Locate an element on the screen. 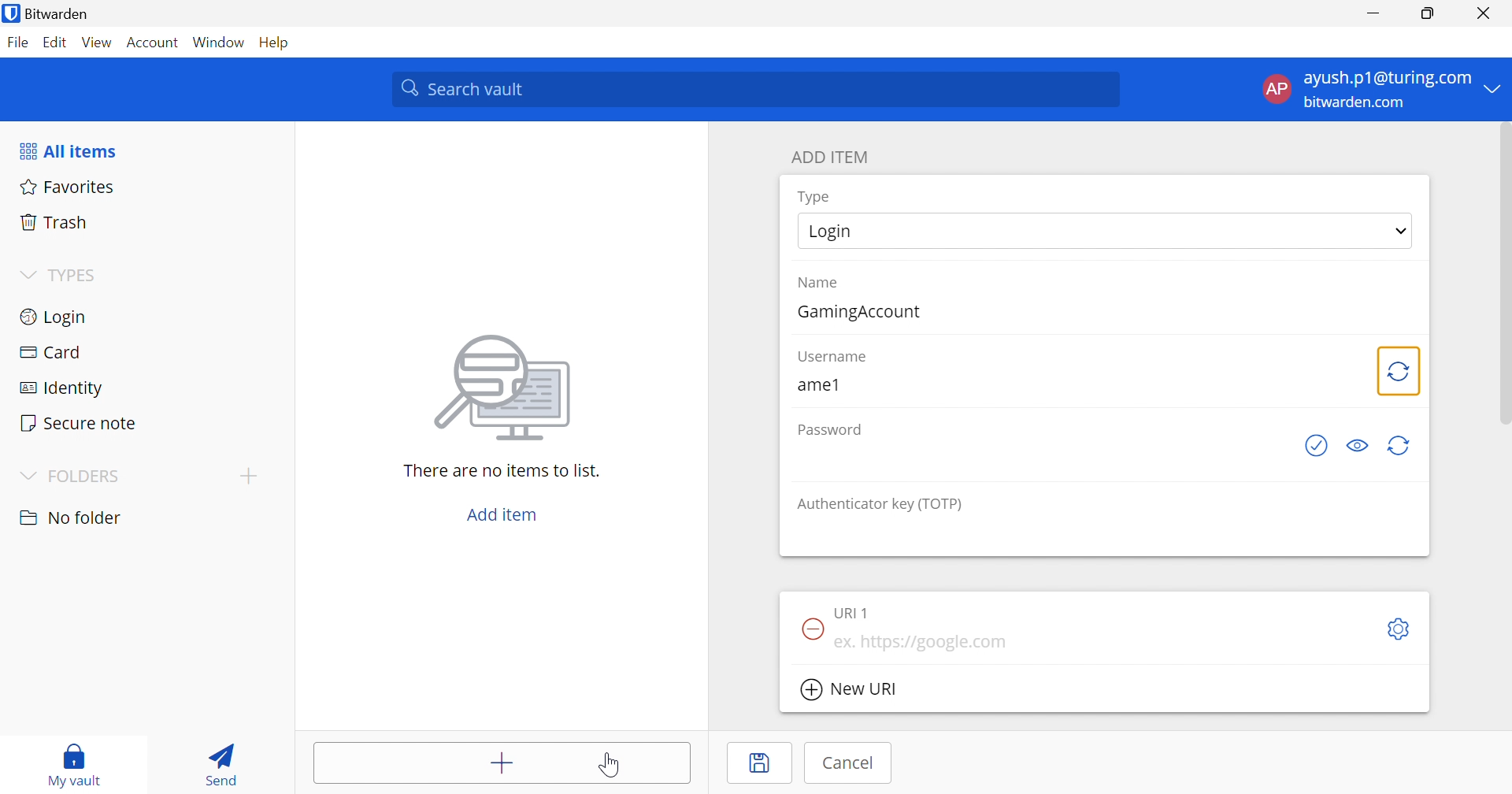 This screenshot has width=1512, height=794. bitwarden.com is located at coordinates (1355, 103).